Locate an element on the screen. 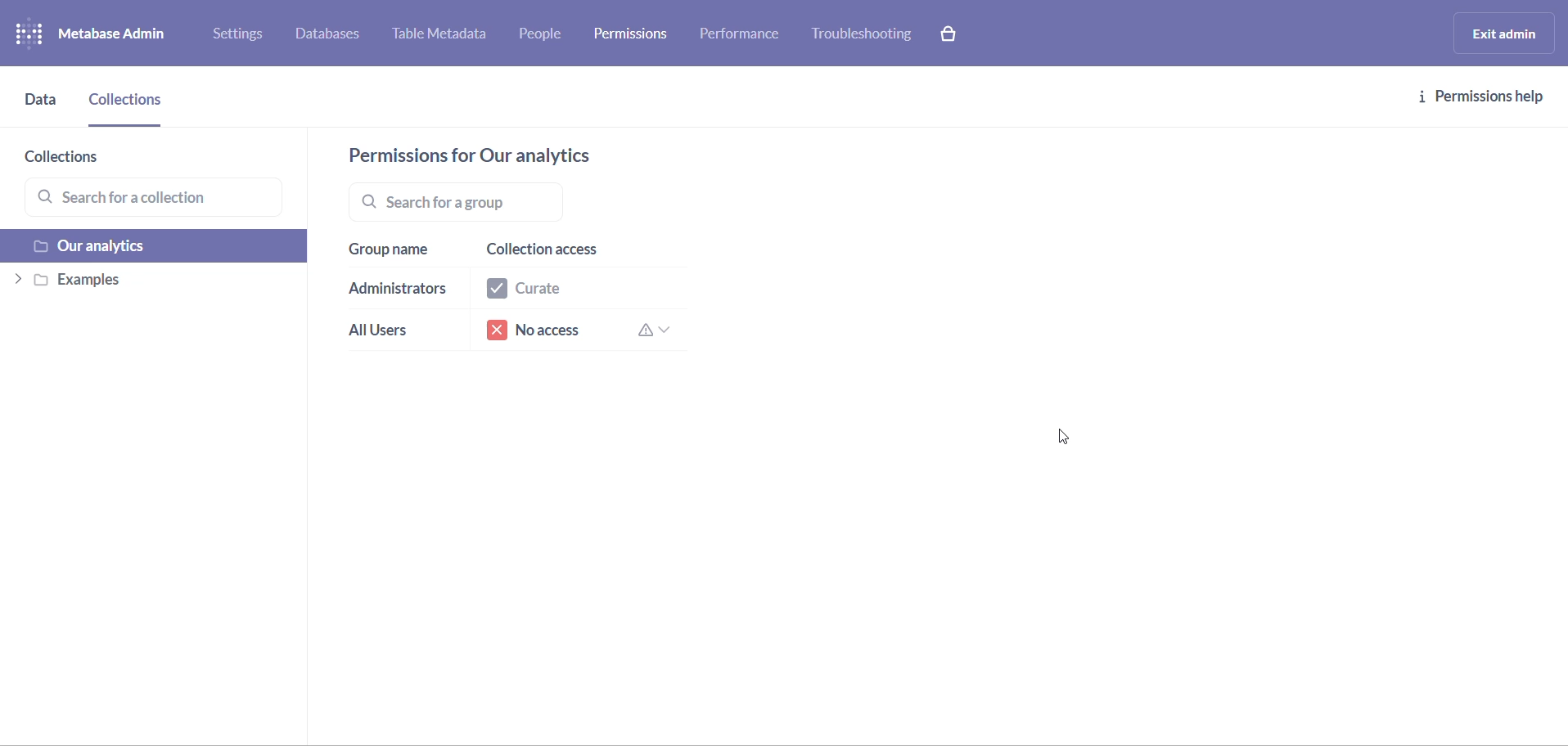  databases is located at coordinates (336, 36).